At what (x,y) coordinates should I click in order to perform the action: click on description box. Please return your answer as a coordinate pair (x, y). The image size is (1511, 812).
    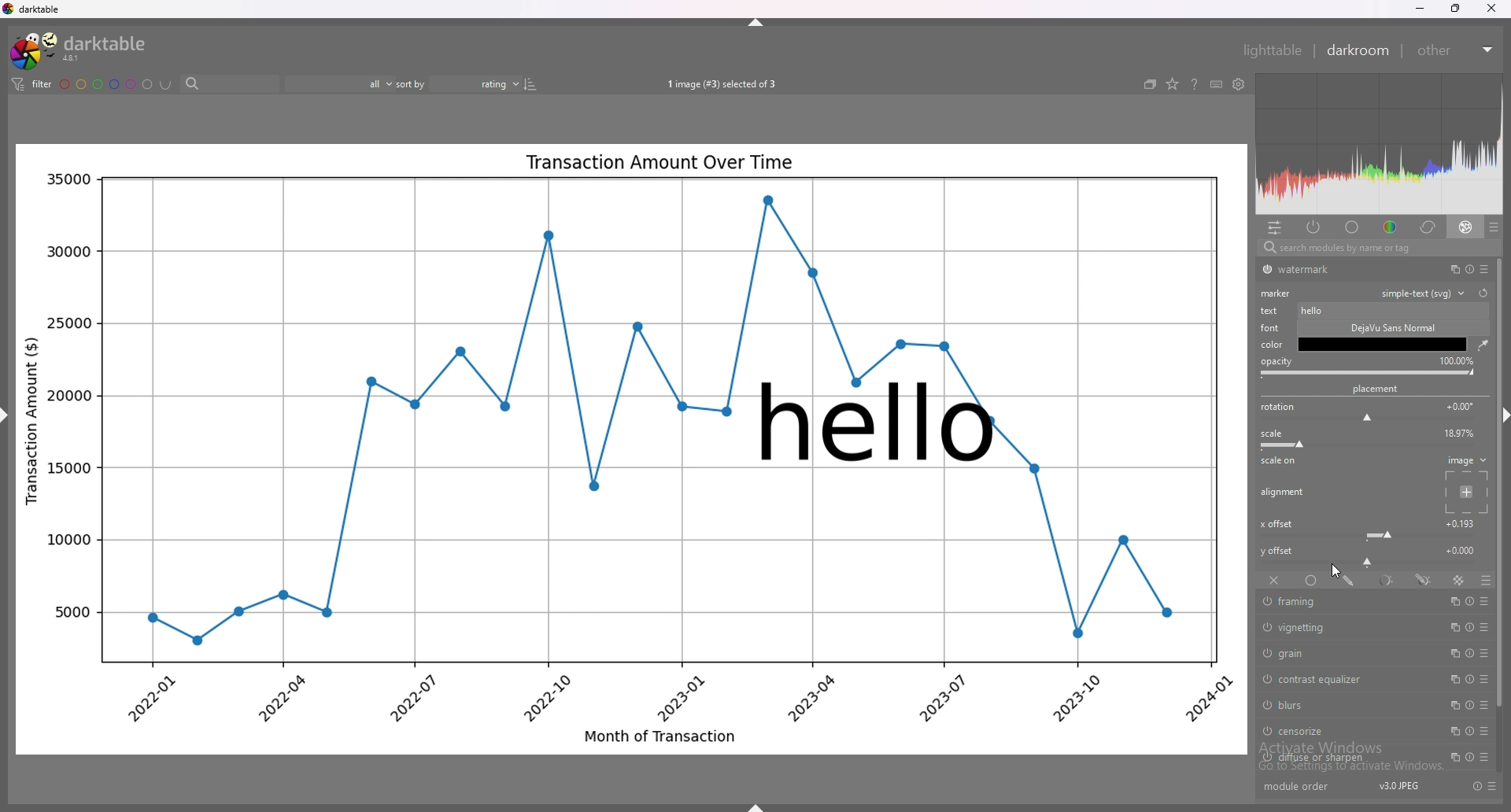
    Looking at the image, I should click on (1384, 336).